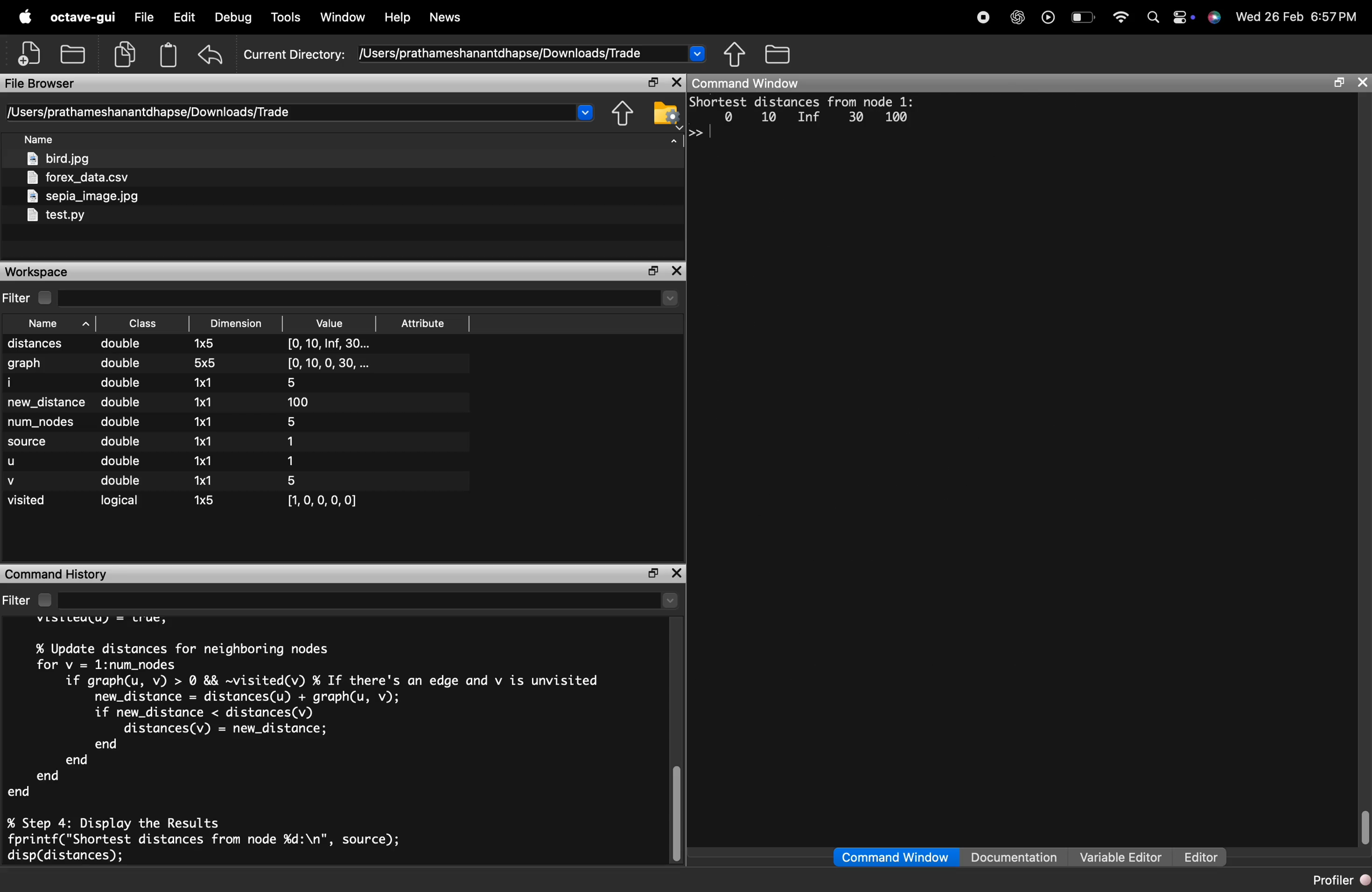 Image resolution: width=1372 pixels, height=892 pixels. I want to click on filter, so click(28, 600).